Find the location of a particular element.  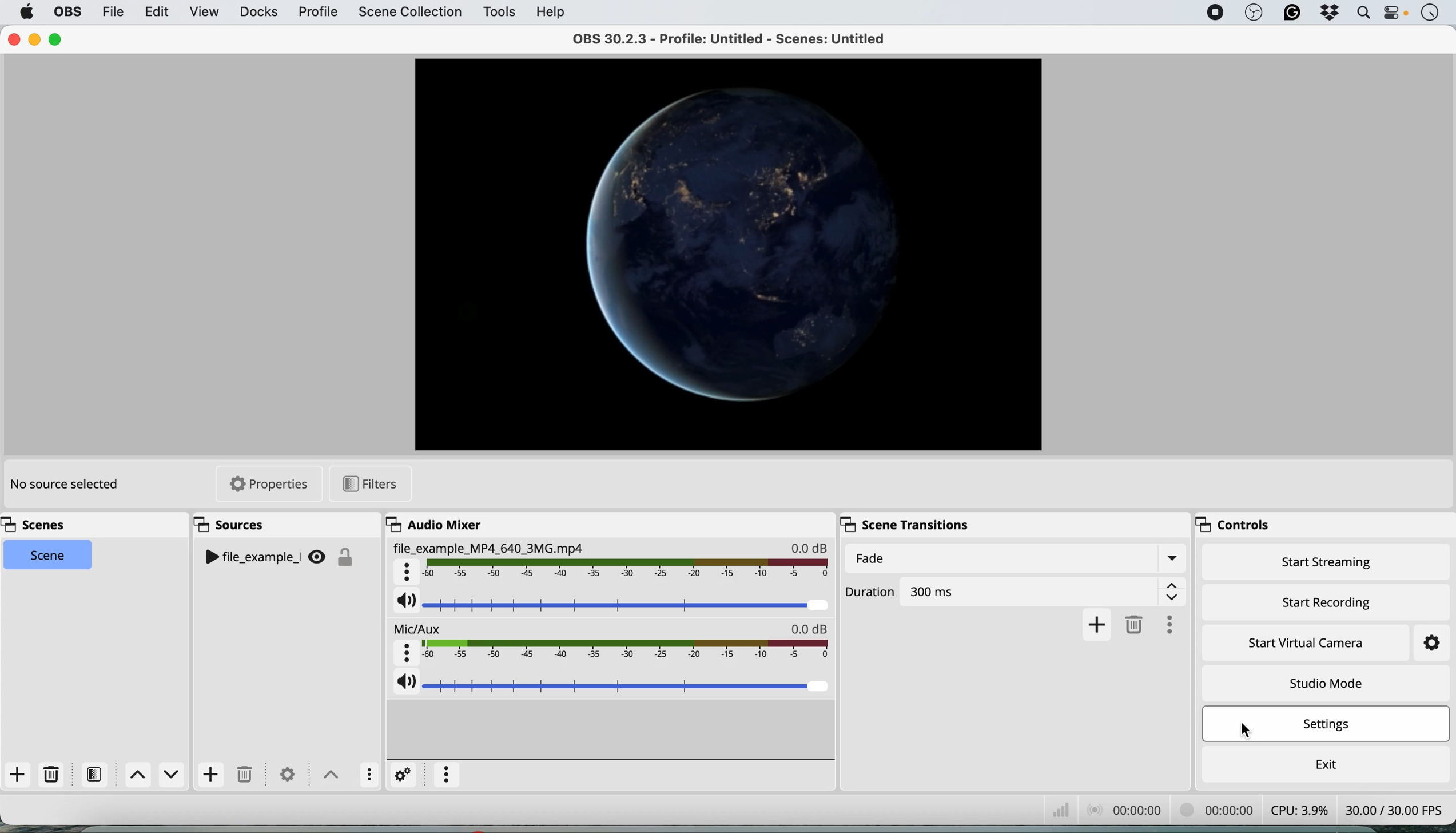

grammarly is located at coordinates (1289, 14).